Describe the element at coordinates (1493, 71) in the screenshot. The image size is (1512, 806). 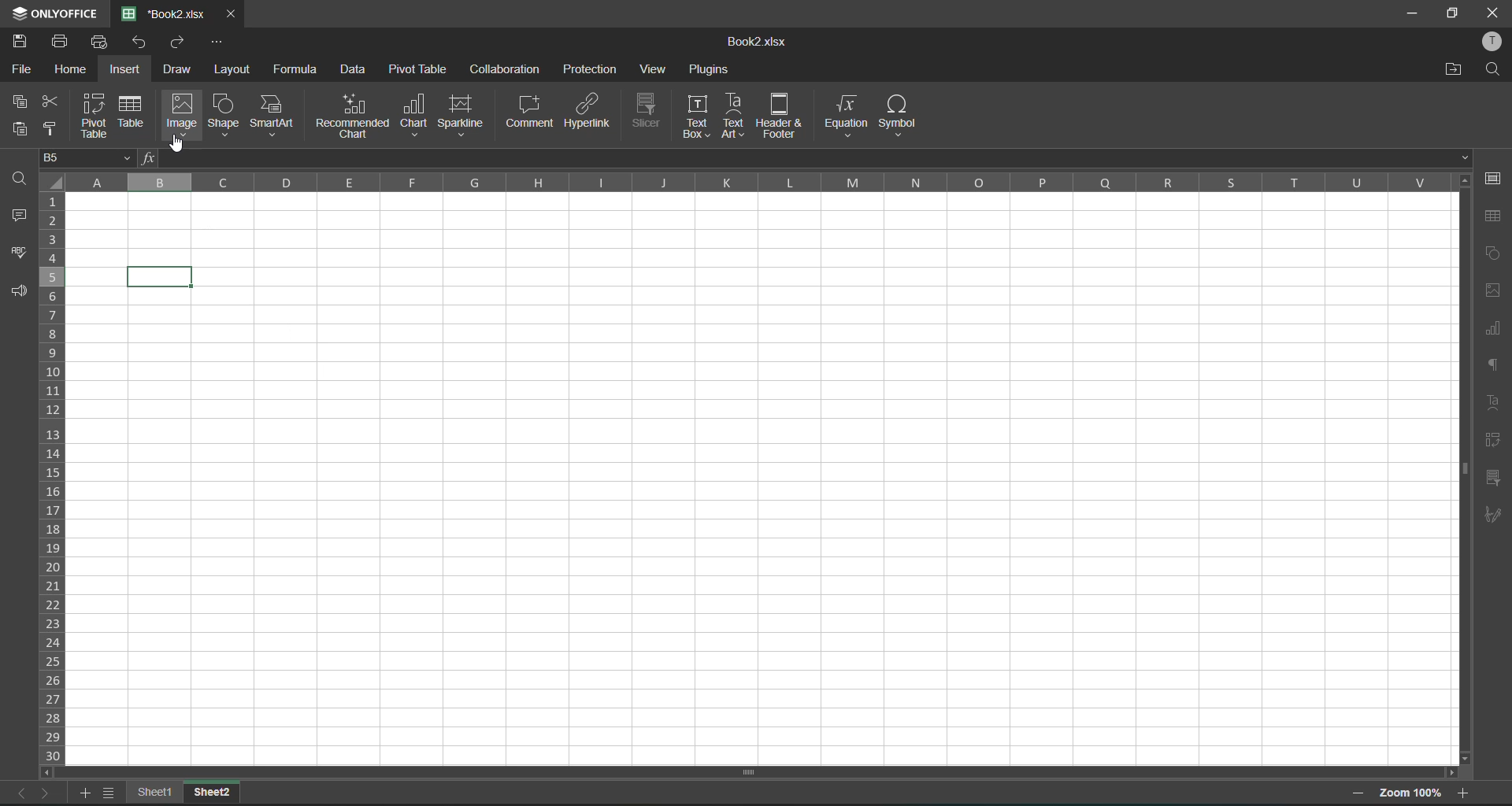
I see `find` at that location.